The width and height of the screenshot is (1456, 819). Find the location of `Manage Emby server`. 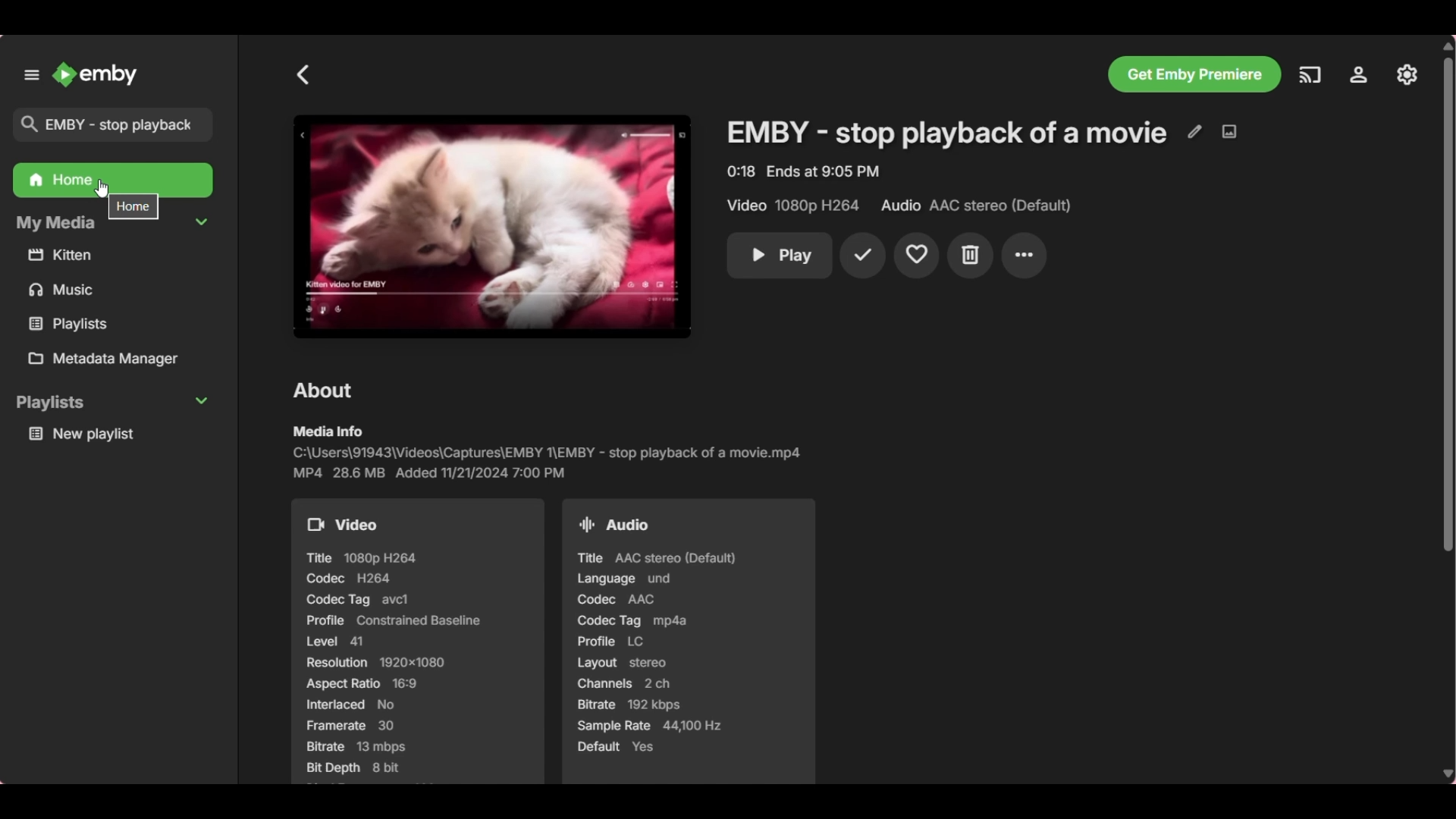

Manage Emby server is located at coordinates (1357, 77).